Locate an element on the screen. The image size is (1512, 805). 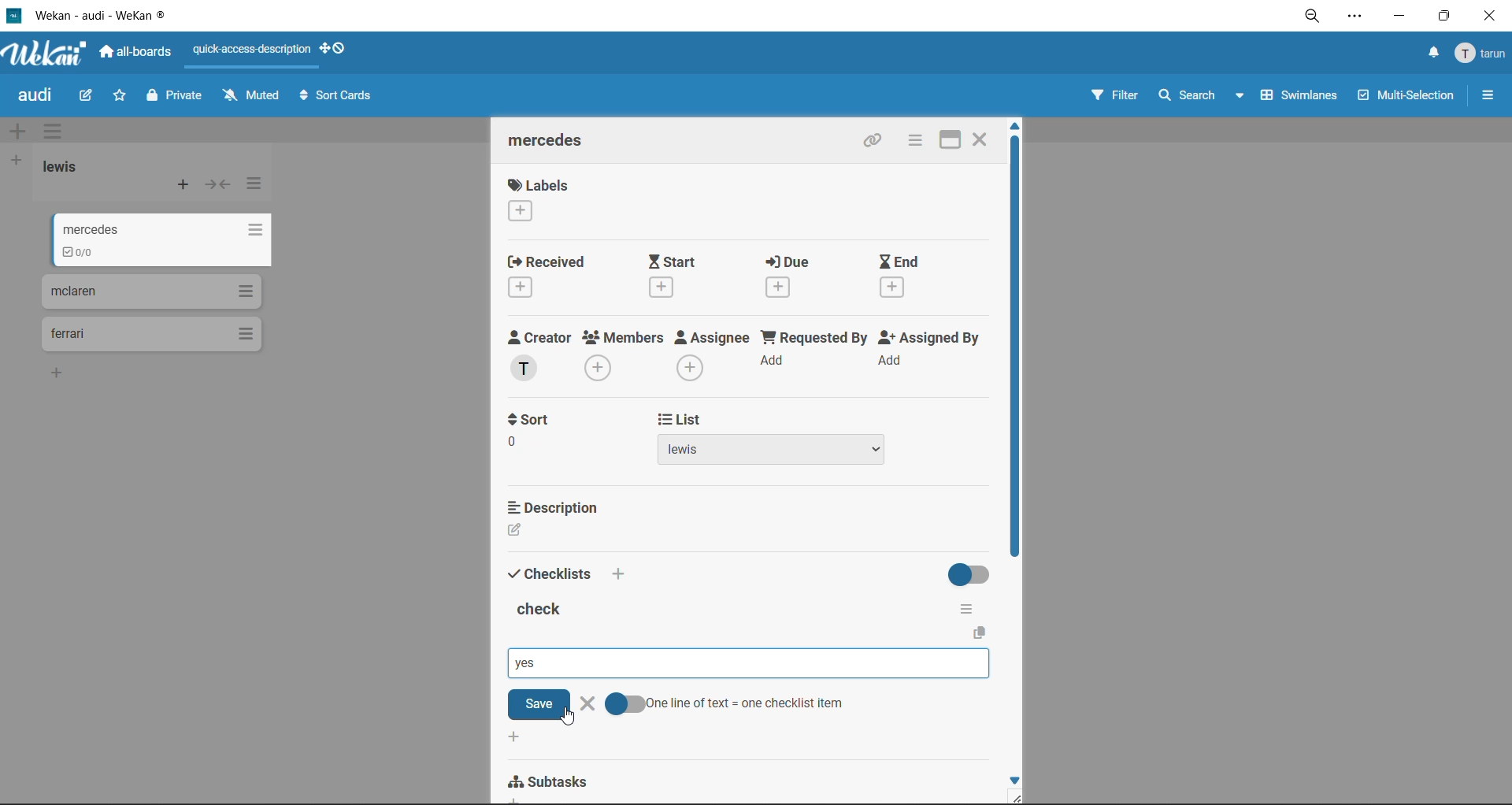
labels is located at coordinates (538, 202).